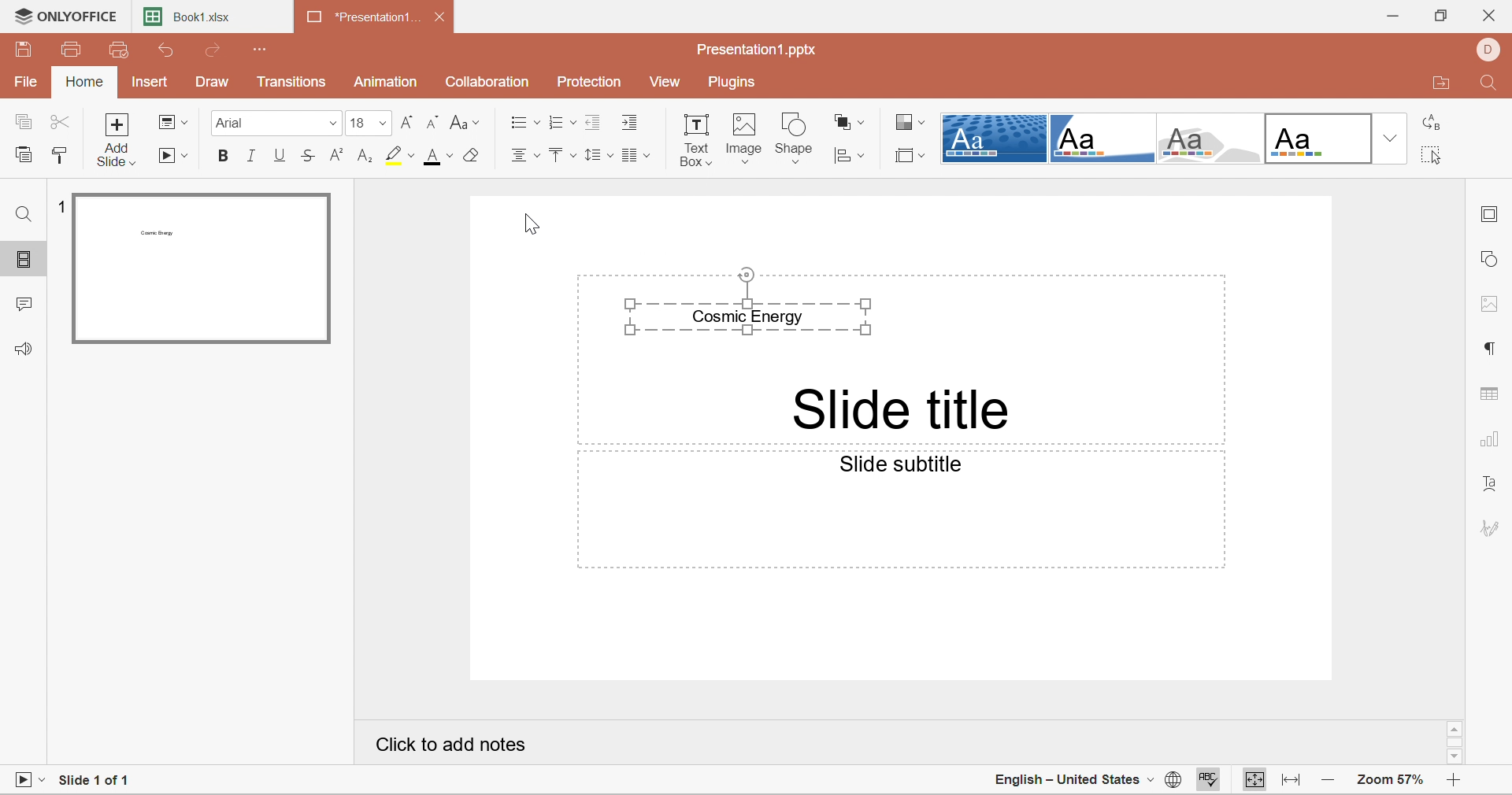  I want to click on Decrease Indent, so click(591, 121).